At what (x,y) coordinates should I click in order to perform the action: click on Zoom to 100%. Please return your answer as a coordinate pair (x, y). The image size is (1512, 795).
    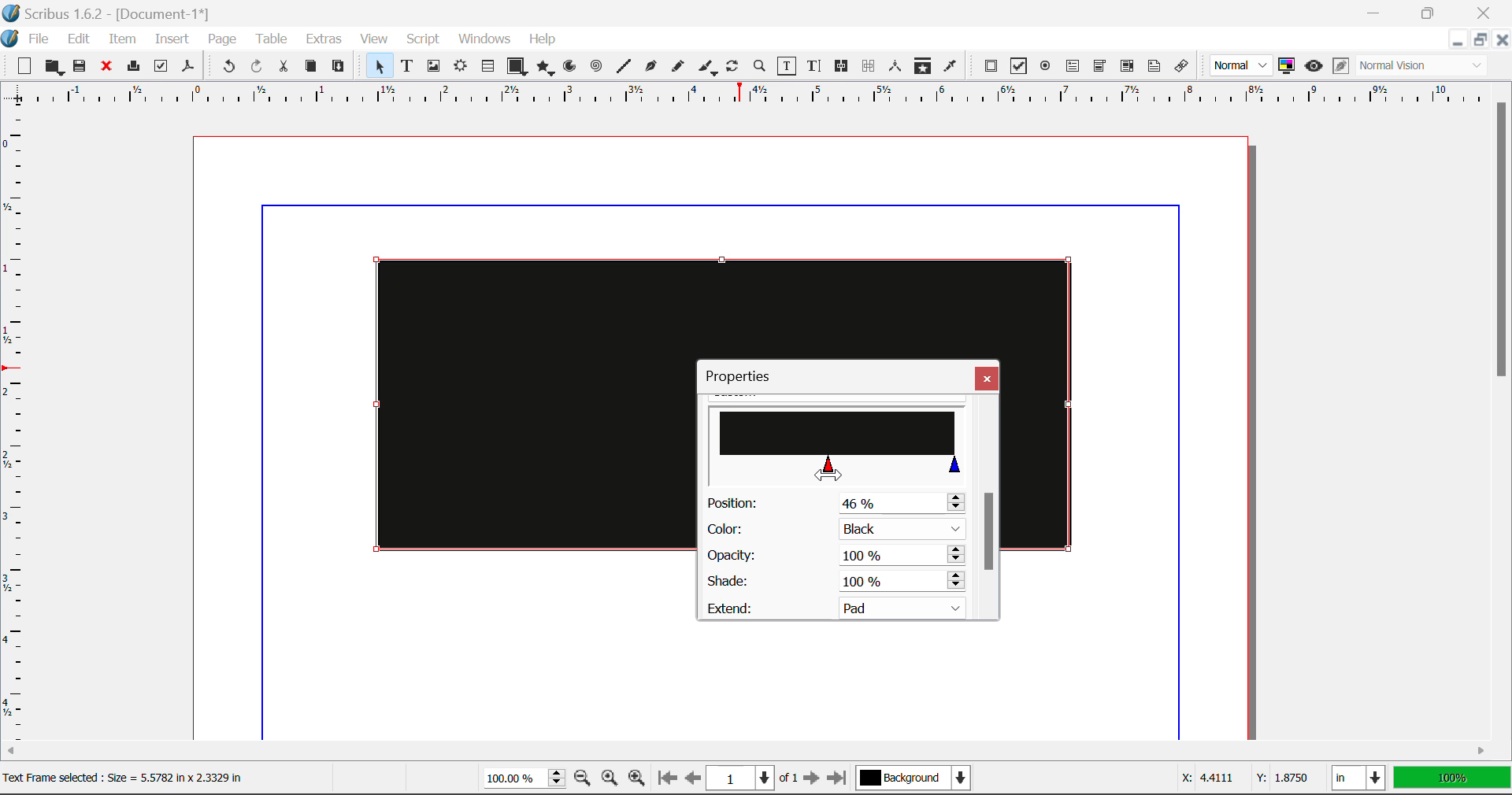
    Looking at the image, I should click on (610, 780).